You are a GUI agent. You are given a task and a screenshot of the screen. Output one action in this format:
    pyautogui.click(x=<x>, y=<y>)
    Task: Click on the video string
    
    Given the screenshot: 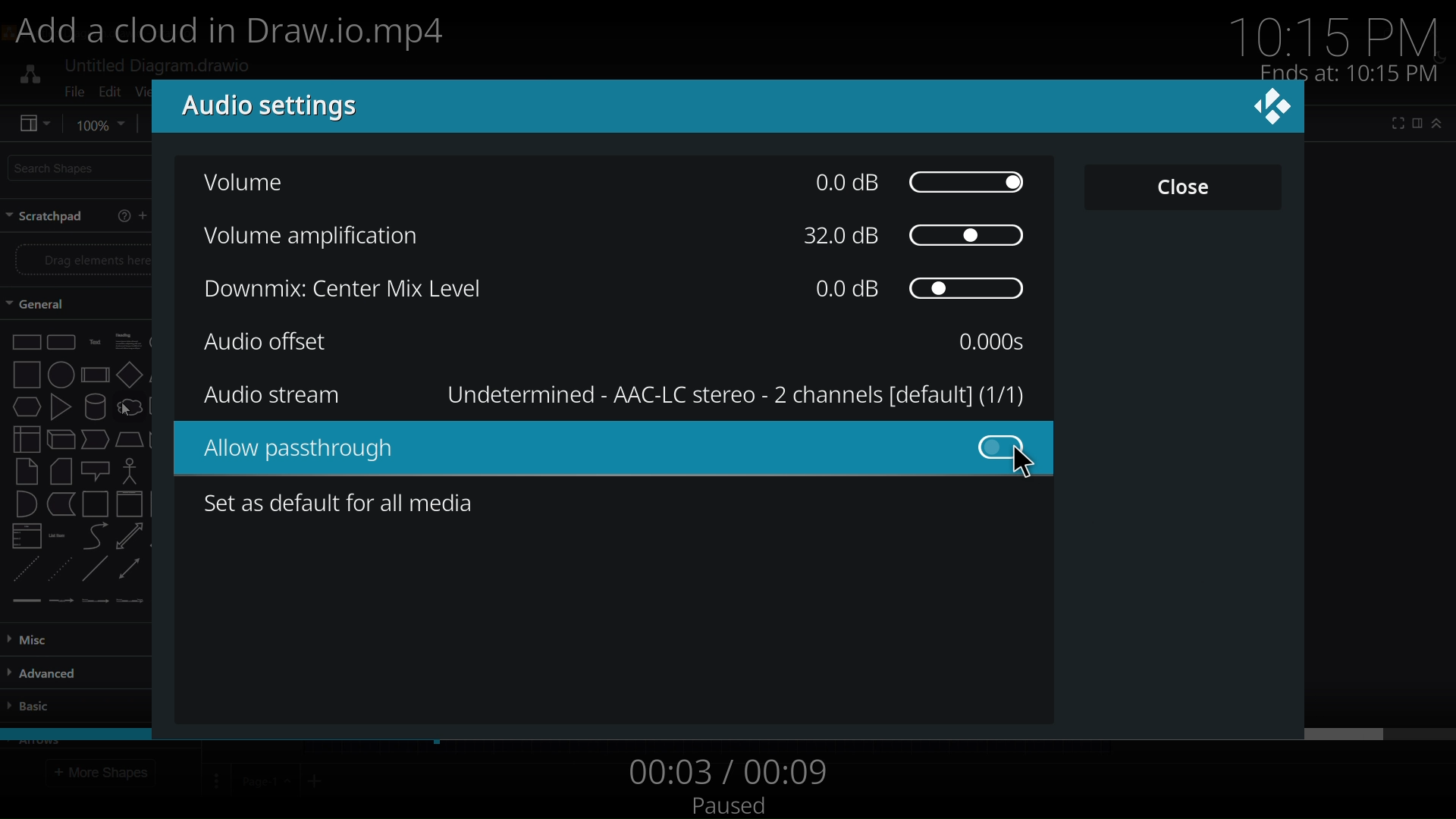 What is the action you would take?
    pyautogui.click(x=734, y=733)
    